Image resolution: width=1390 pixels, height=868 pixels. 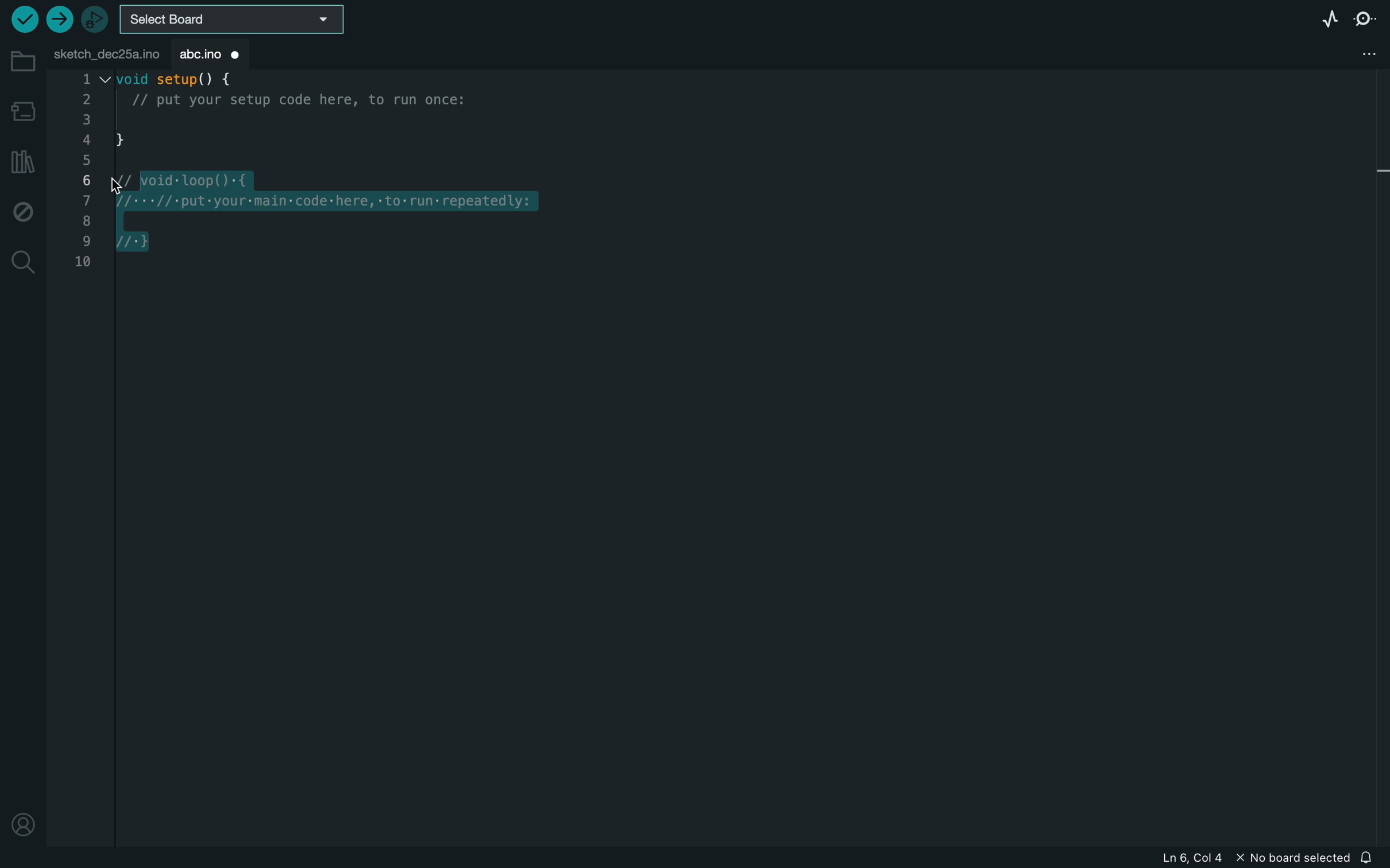 I want to click on serial  monitor, so click(x=1368, y=21).